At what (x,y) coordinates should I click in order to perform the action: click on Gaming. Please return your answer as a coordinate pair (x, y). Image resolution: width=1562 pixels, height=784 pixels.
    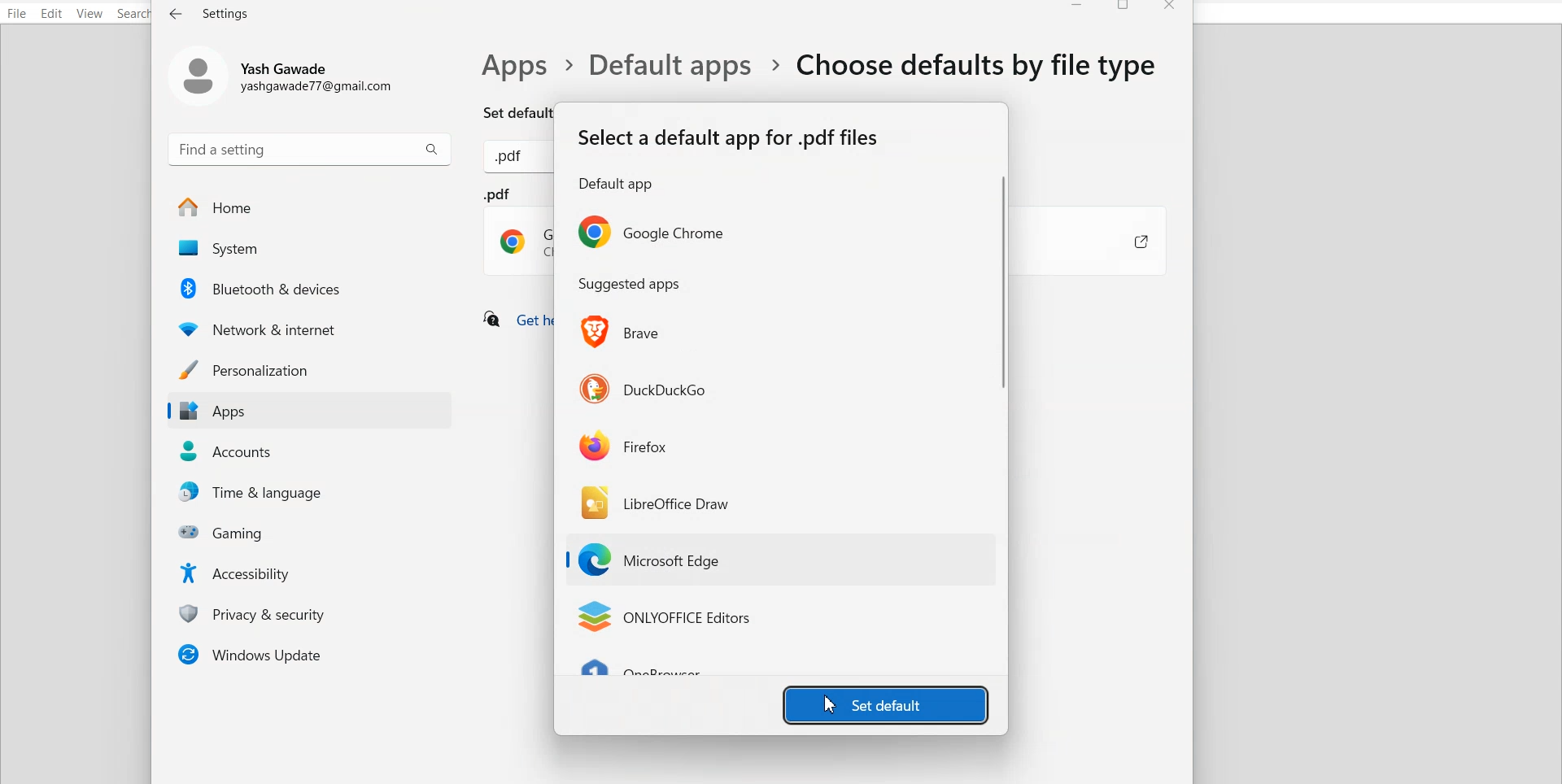
    Looking at the image, I should click on (314, 531).